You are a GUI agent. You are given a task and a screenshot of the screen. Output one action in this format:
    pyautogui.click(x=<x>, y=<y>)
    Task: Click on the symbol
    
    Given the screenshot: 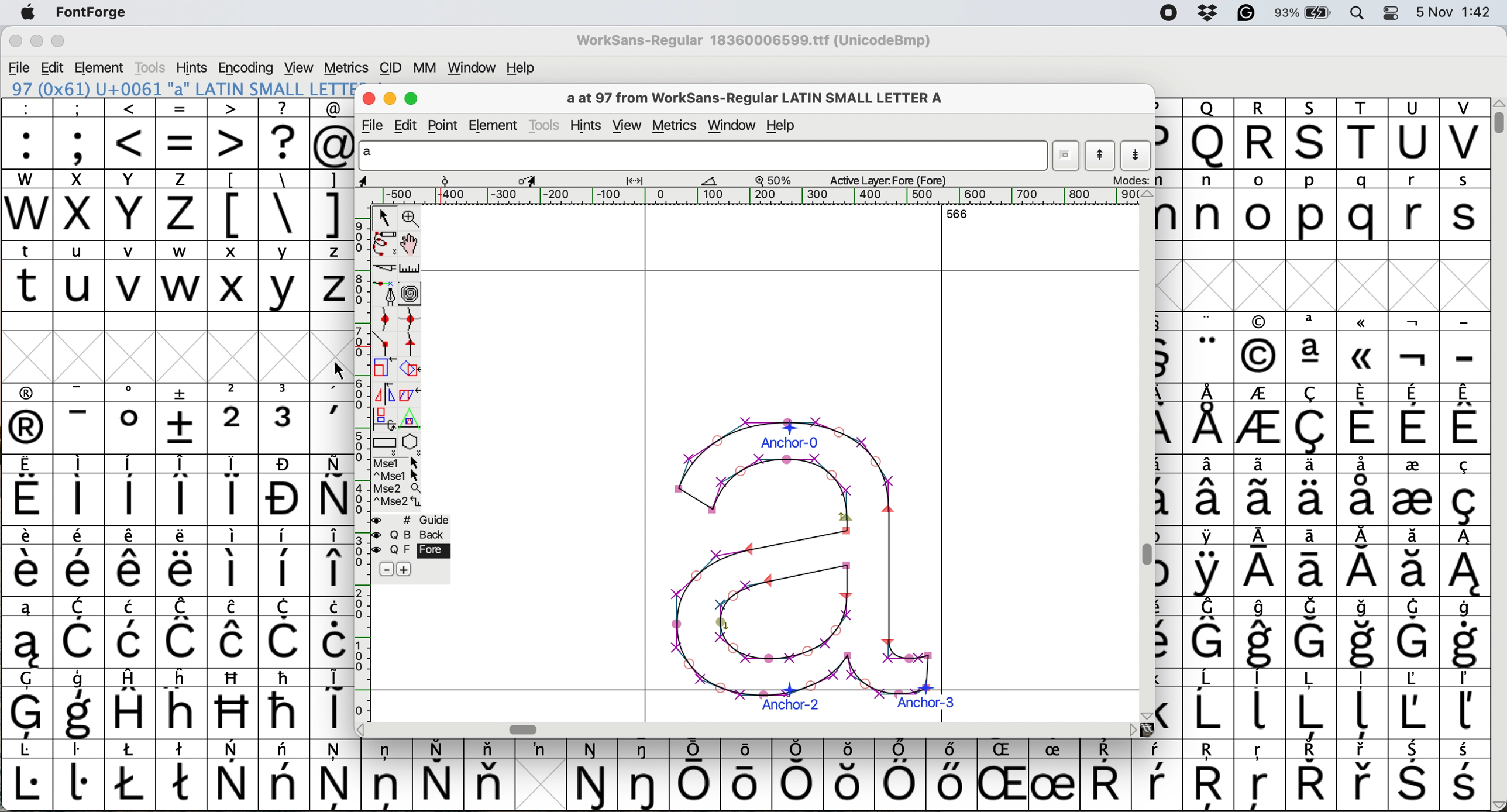 What is the action you would take?
    pyautogui.click(x=28, y=419)
    